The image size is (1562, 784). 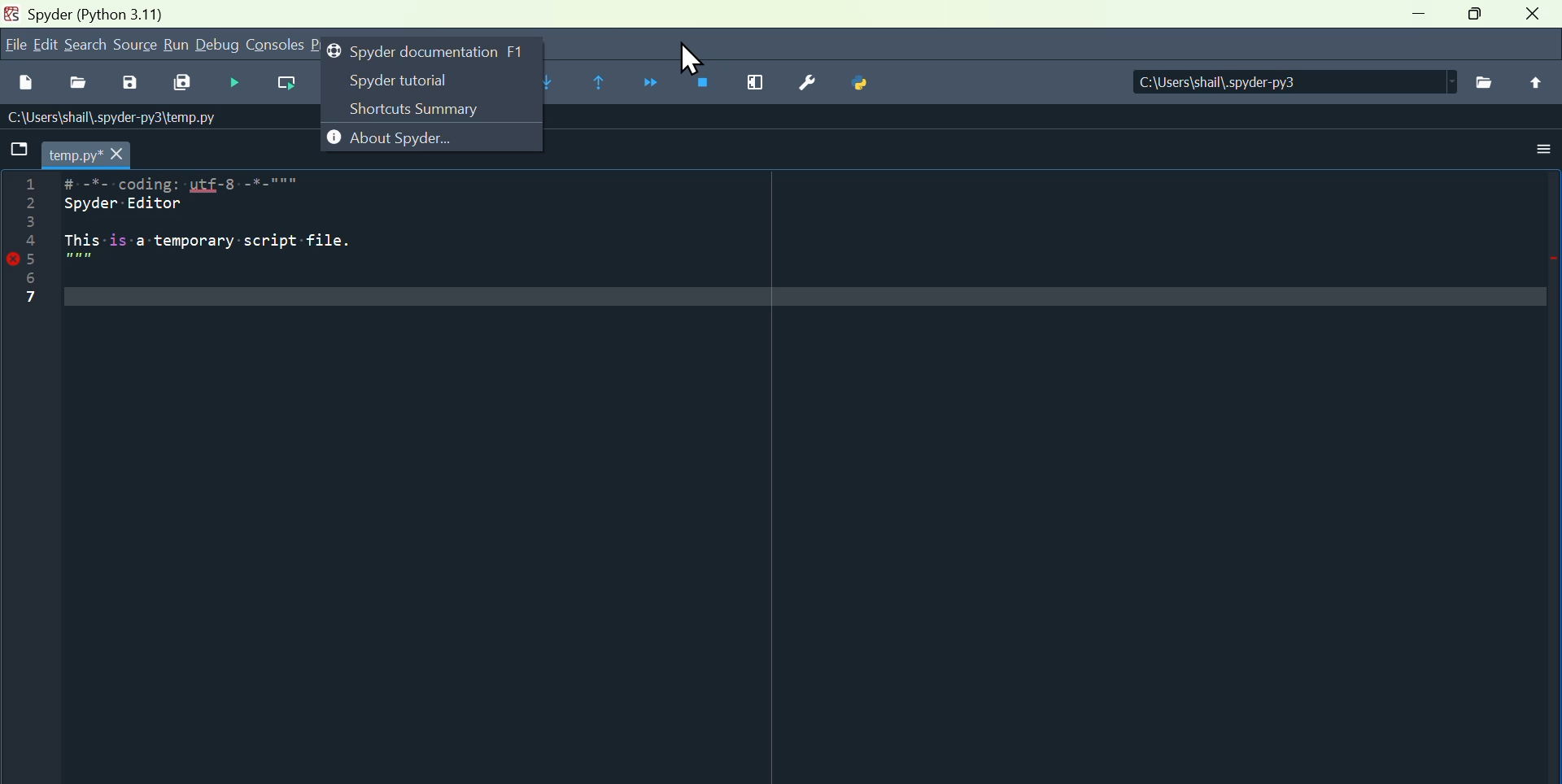 I want to click on C:\Users\shail\.spyder-py3\temp.py, so click(x=146, y=119).